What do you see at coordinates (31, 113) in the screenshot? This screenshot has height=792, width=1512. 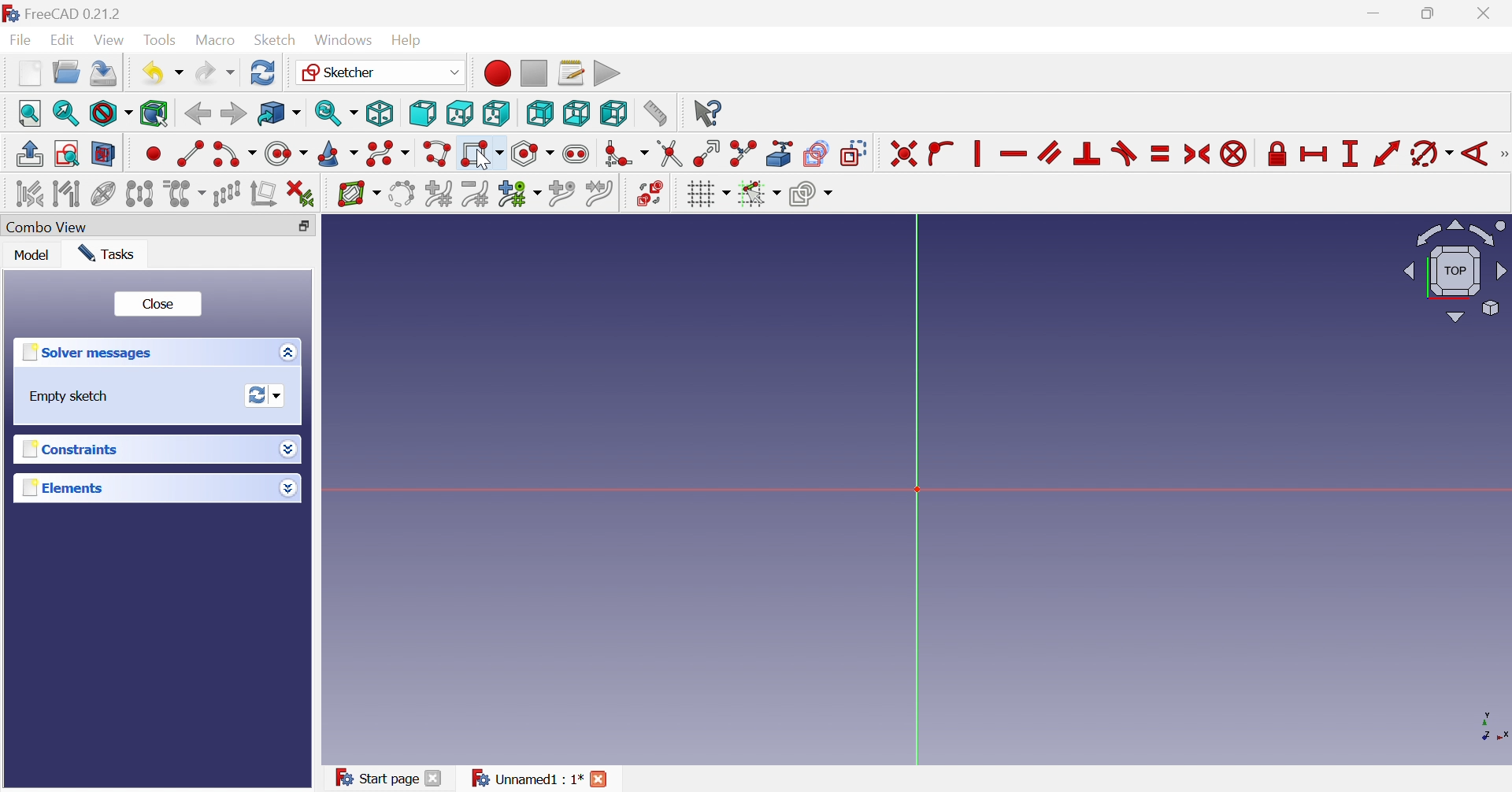 I see `Fit all` at bounding box center [31, 113].